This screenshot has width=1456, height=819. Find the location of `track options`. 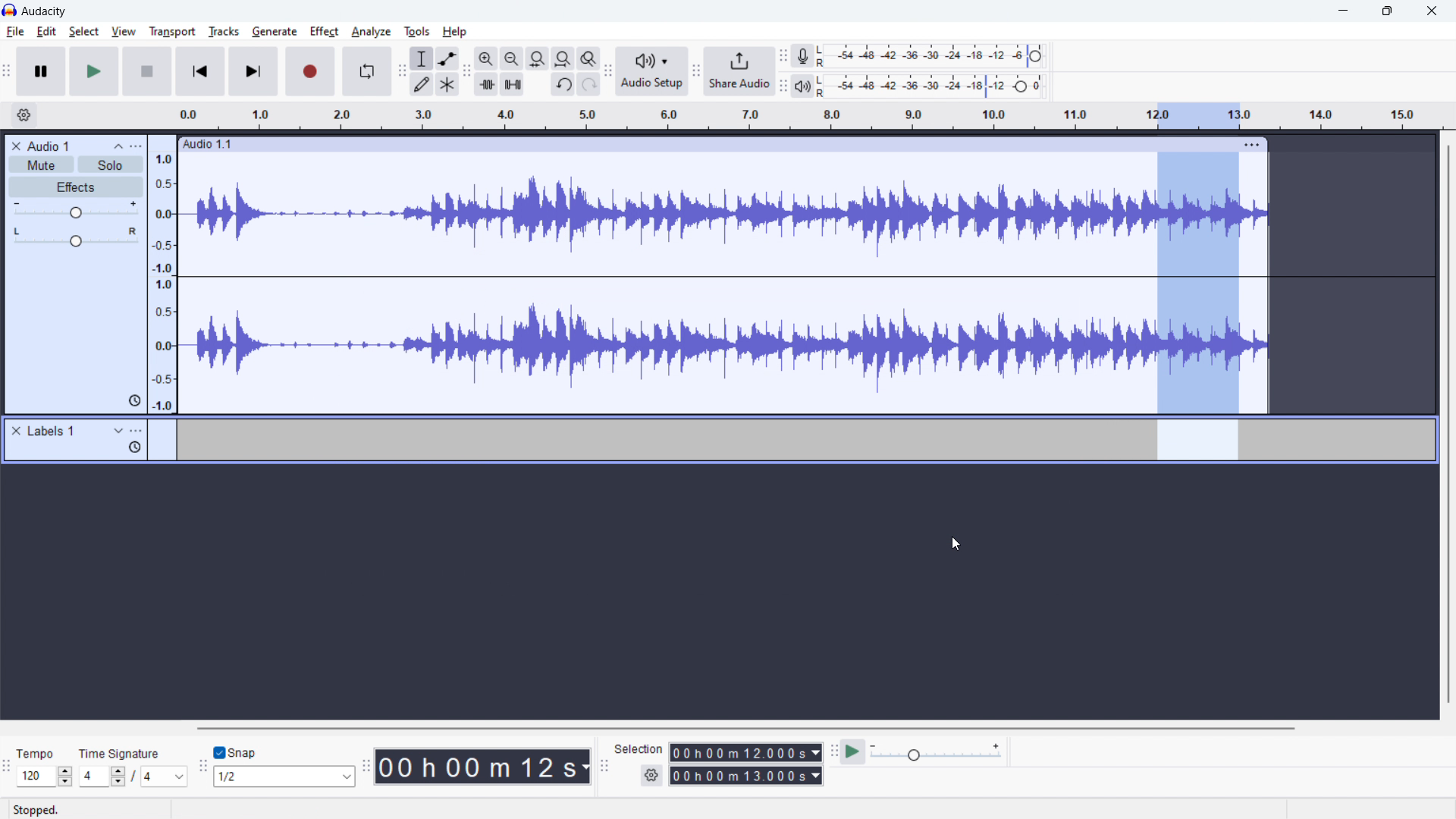

track options is located at coordinates (1254, 143).